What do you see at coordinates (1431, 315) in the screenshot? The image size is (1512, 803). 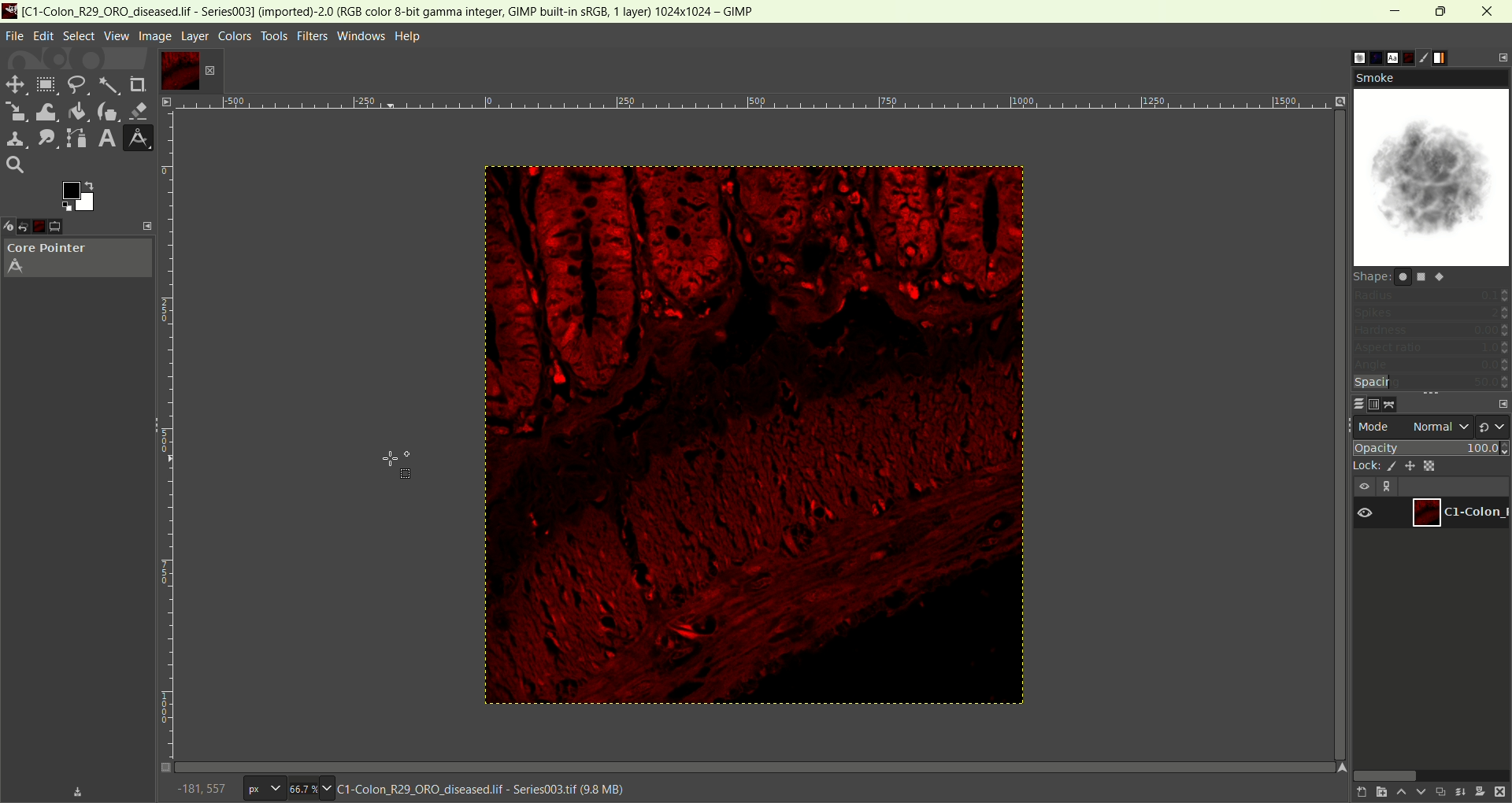 I see `spikes` at bounding box center [1431, 315].